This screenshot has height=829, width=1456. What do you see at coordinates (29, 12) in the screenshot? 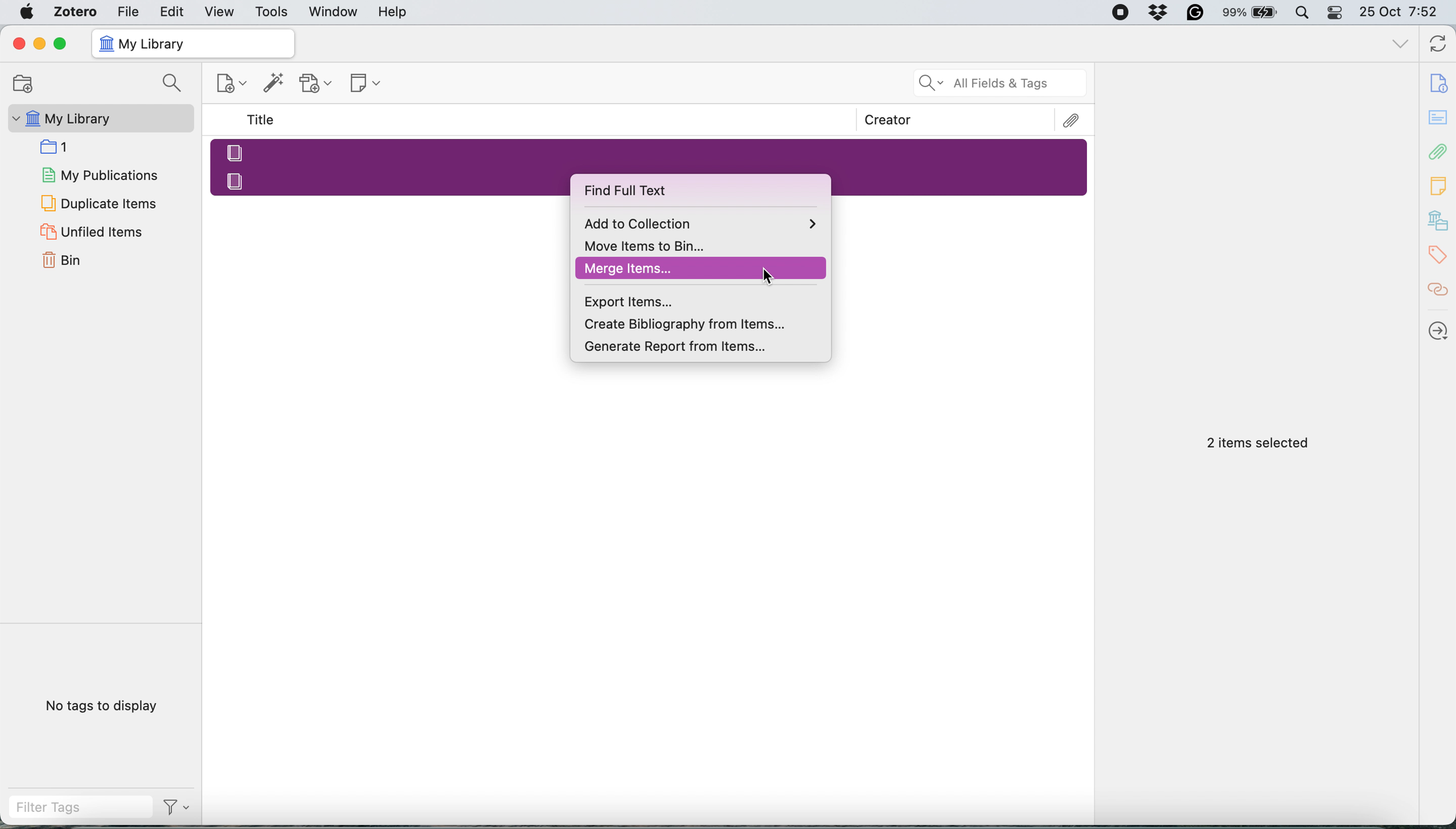
I see `Apple Menu` at bounding box center [29, 12].